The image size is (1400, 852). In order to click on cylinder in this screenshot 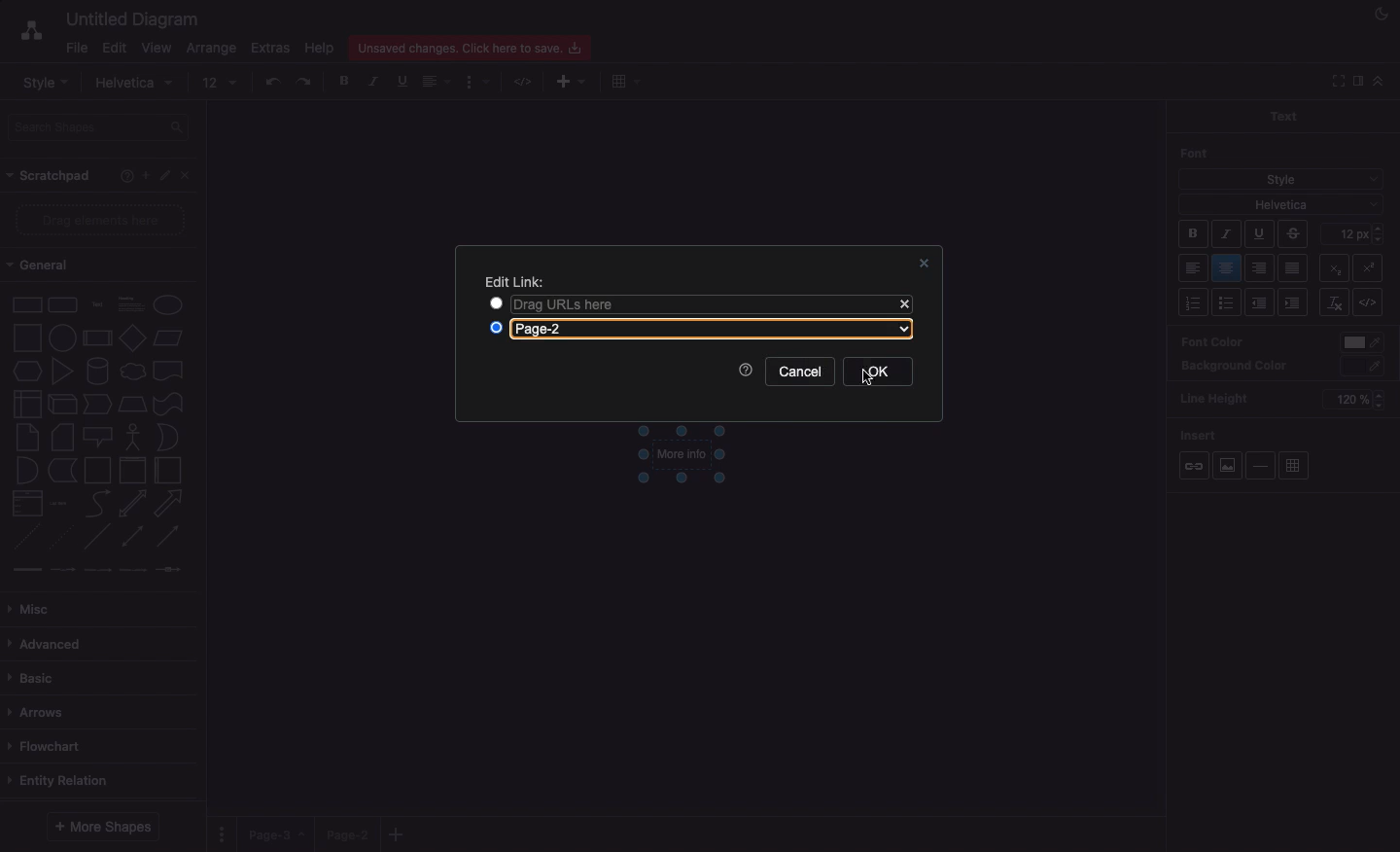, I will do `click(98, 371)`.